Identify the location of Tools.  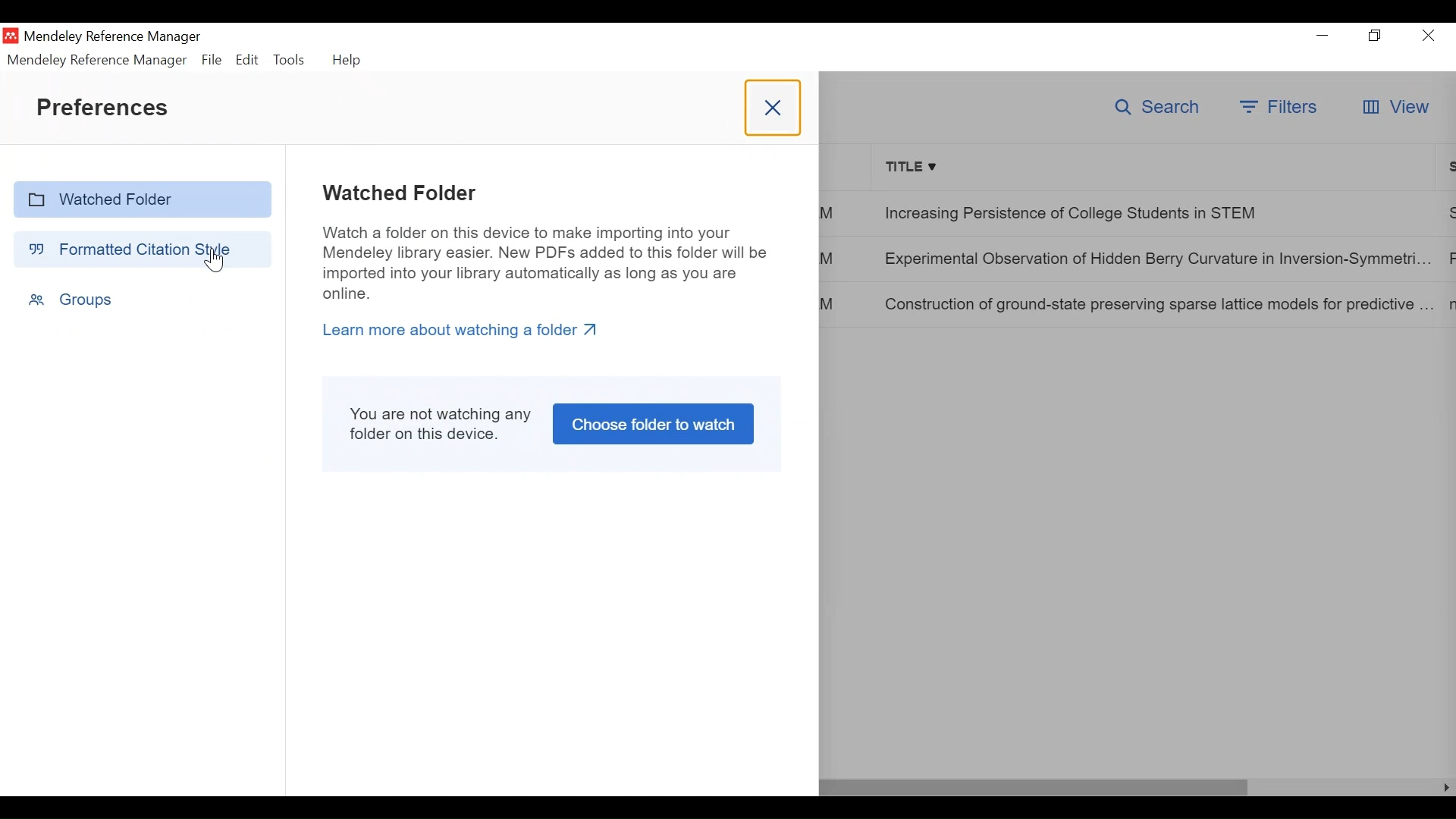
(289, 58).